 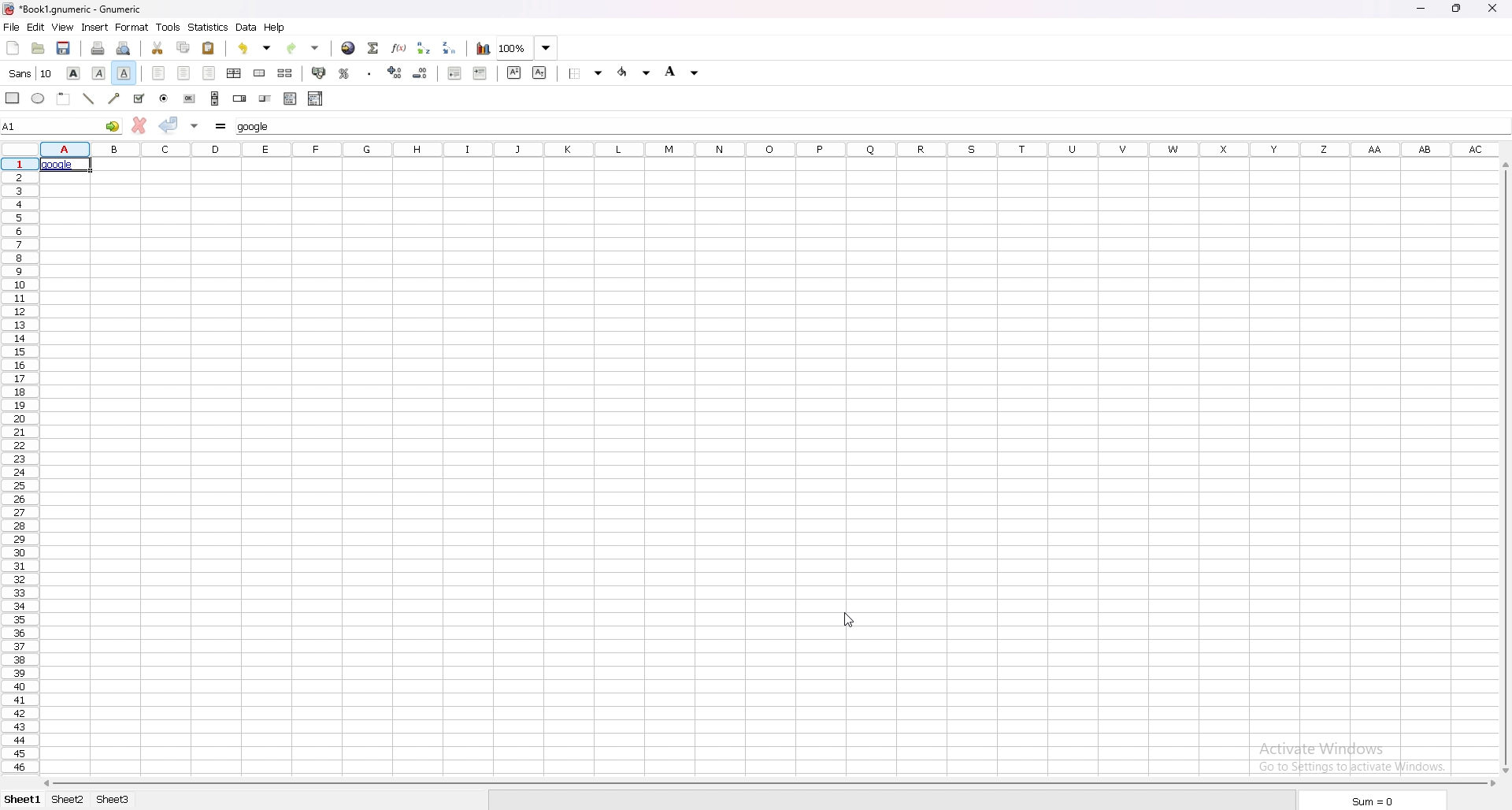 I want to click on radio button, so click(x=168, y=98).